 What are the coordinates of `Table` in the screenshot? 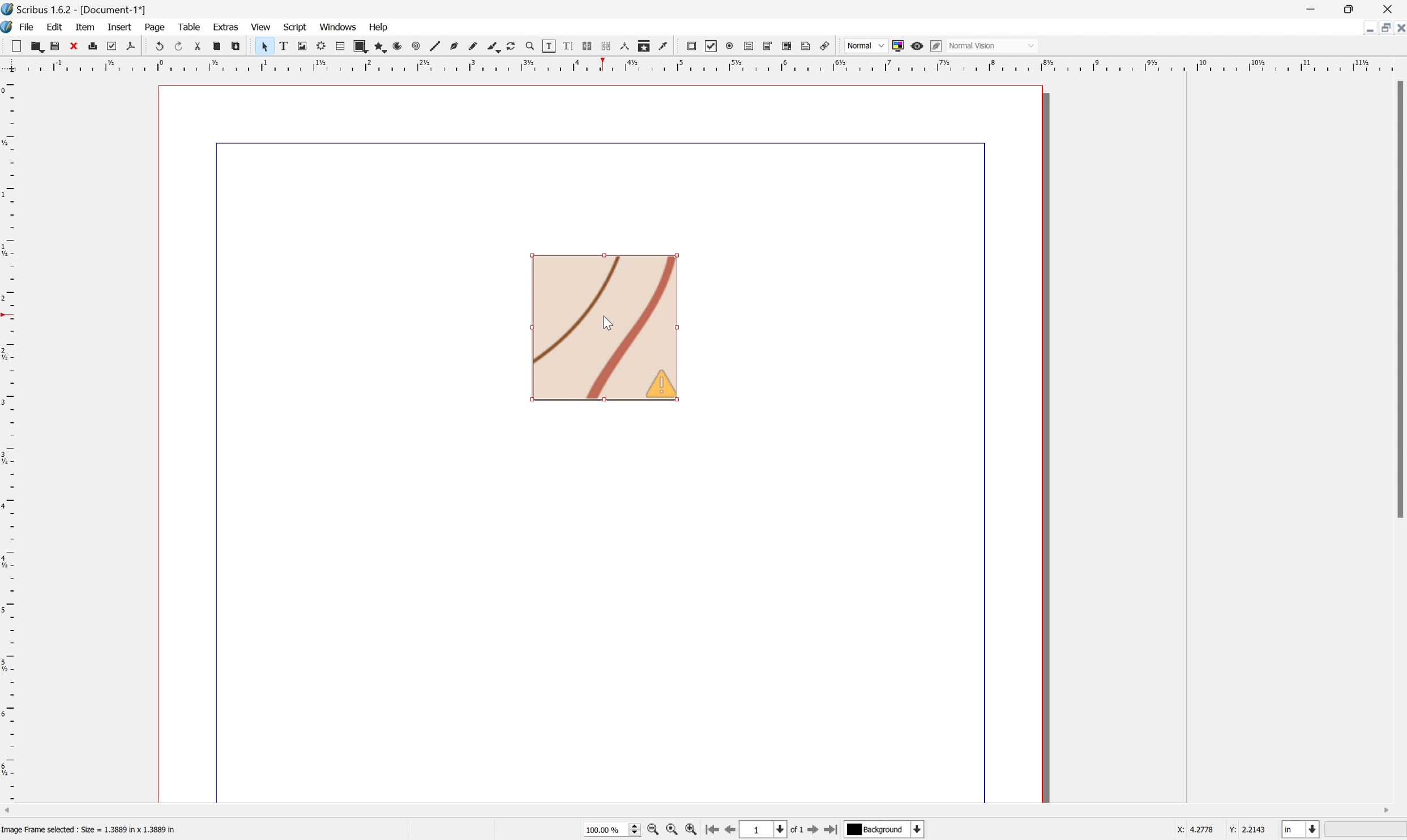 It's located at (340, 46).